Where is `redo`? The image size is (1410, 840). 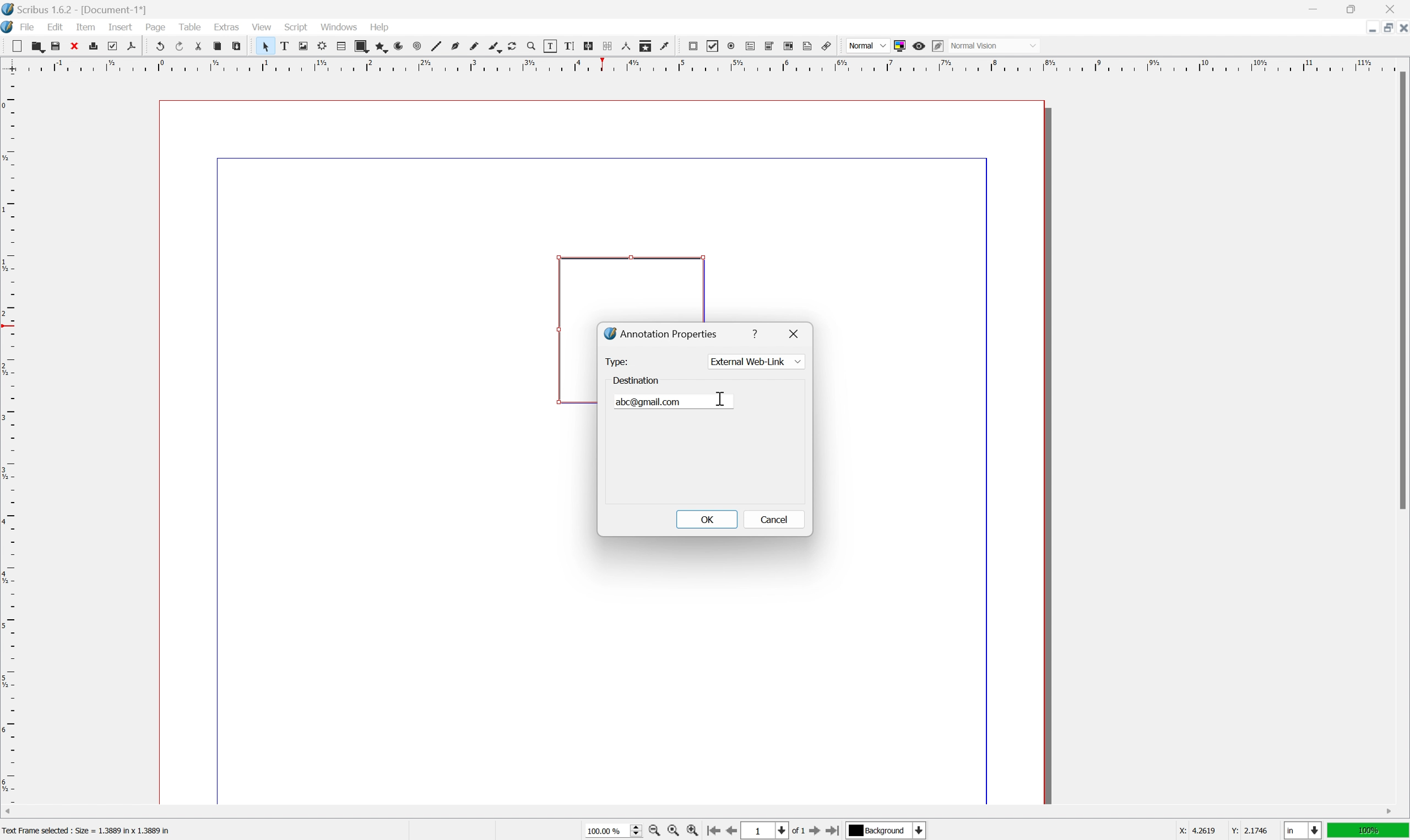 redo is located at coordinates (179, 45).